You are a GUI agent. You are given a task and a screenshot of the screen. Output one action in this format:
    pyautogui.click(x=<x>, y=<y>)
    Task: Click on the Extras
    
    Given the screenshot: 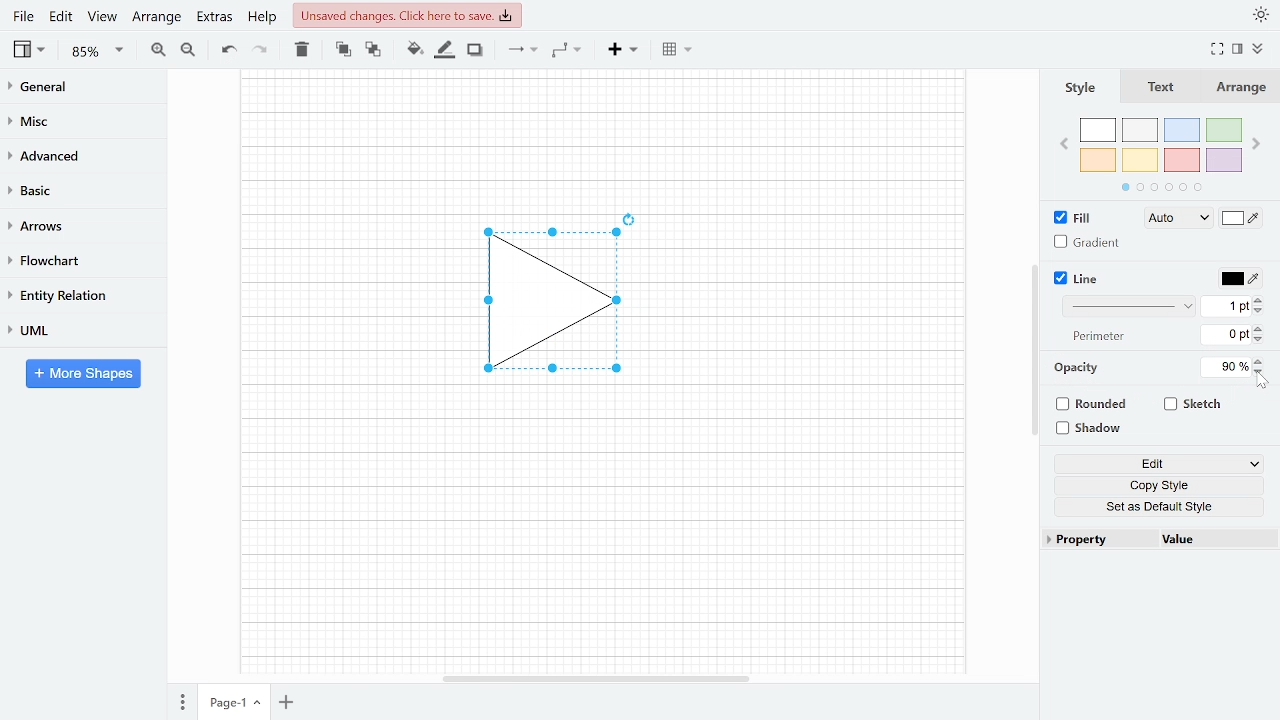 What is the action you would take?
    pyautogui.click(x=212, y=16)
    